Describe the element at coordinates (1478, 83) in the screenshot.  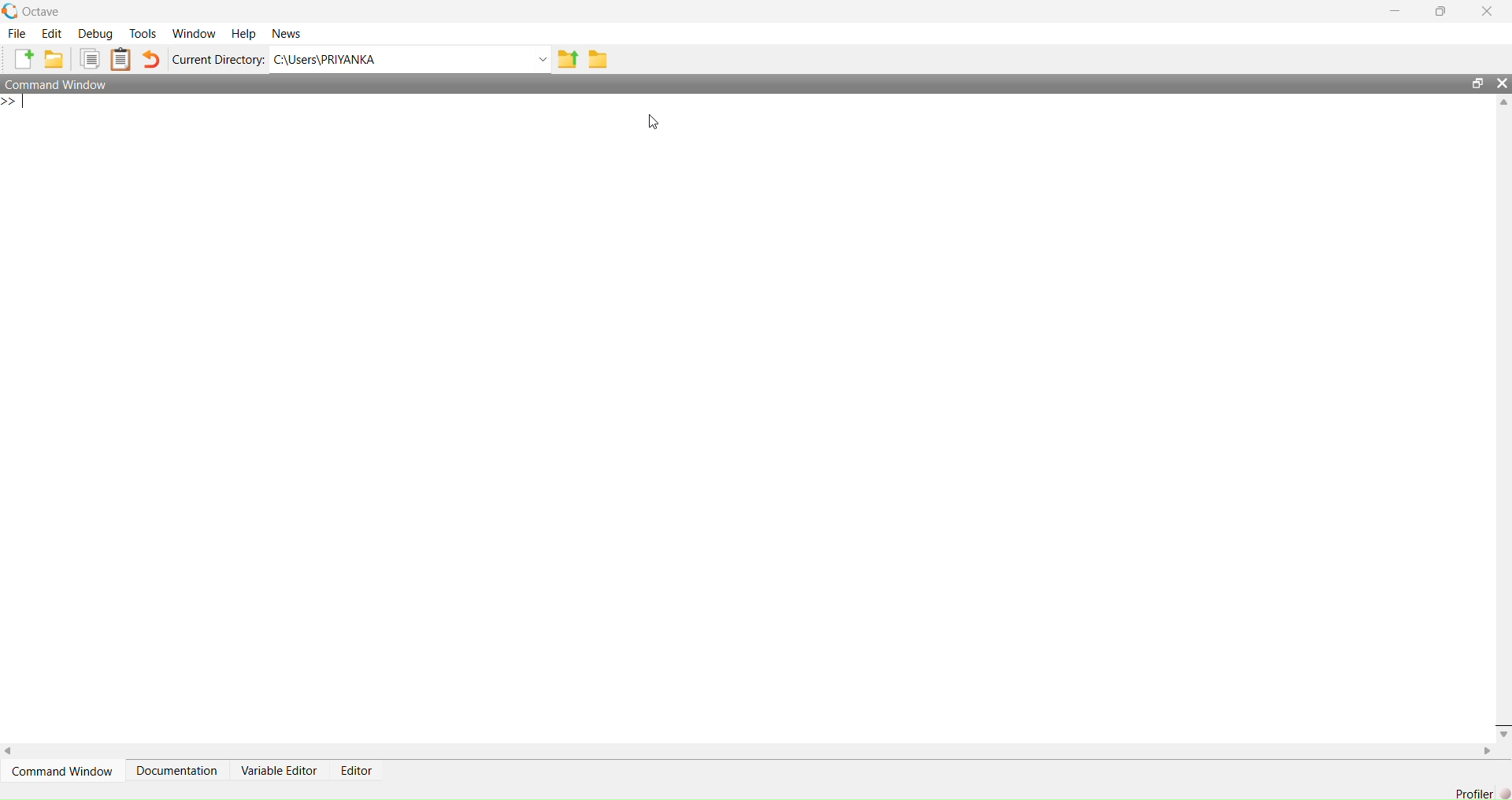
I see `maximize` at that location.